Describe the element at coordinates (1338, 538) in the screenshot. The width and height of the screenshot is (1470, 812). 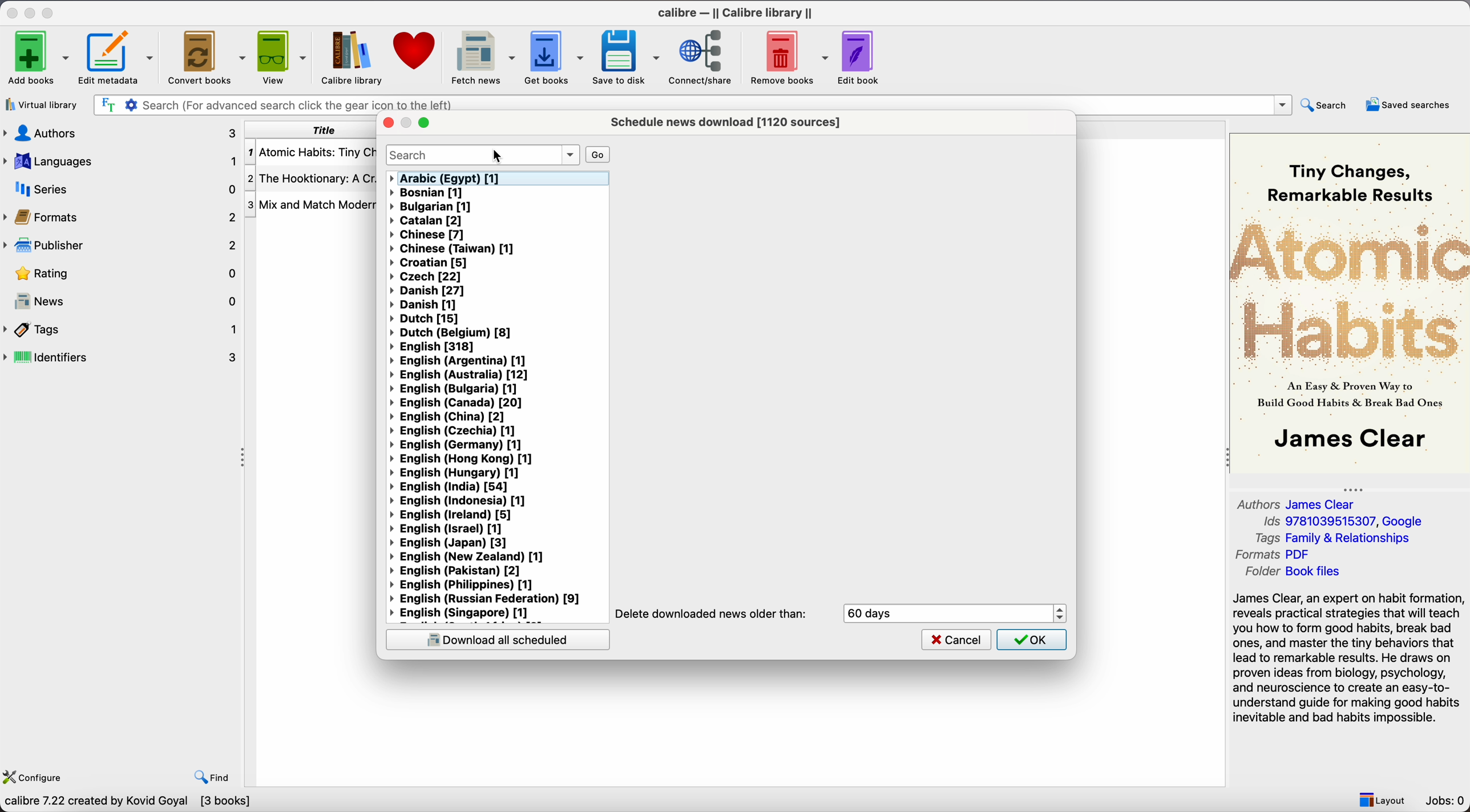
I see `Tags Family & Relationships` at that location.